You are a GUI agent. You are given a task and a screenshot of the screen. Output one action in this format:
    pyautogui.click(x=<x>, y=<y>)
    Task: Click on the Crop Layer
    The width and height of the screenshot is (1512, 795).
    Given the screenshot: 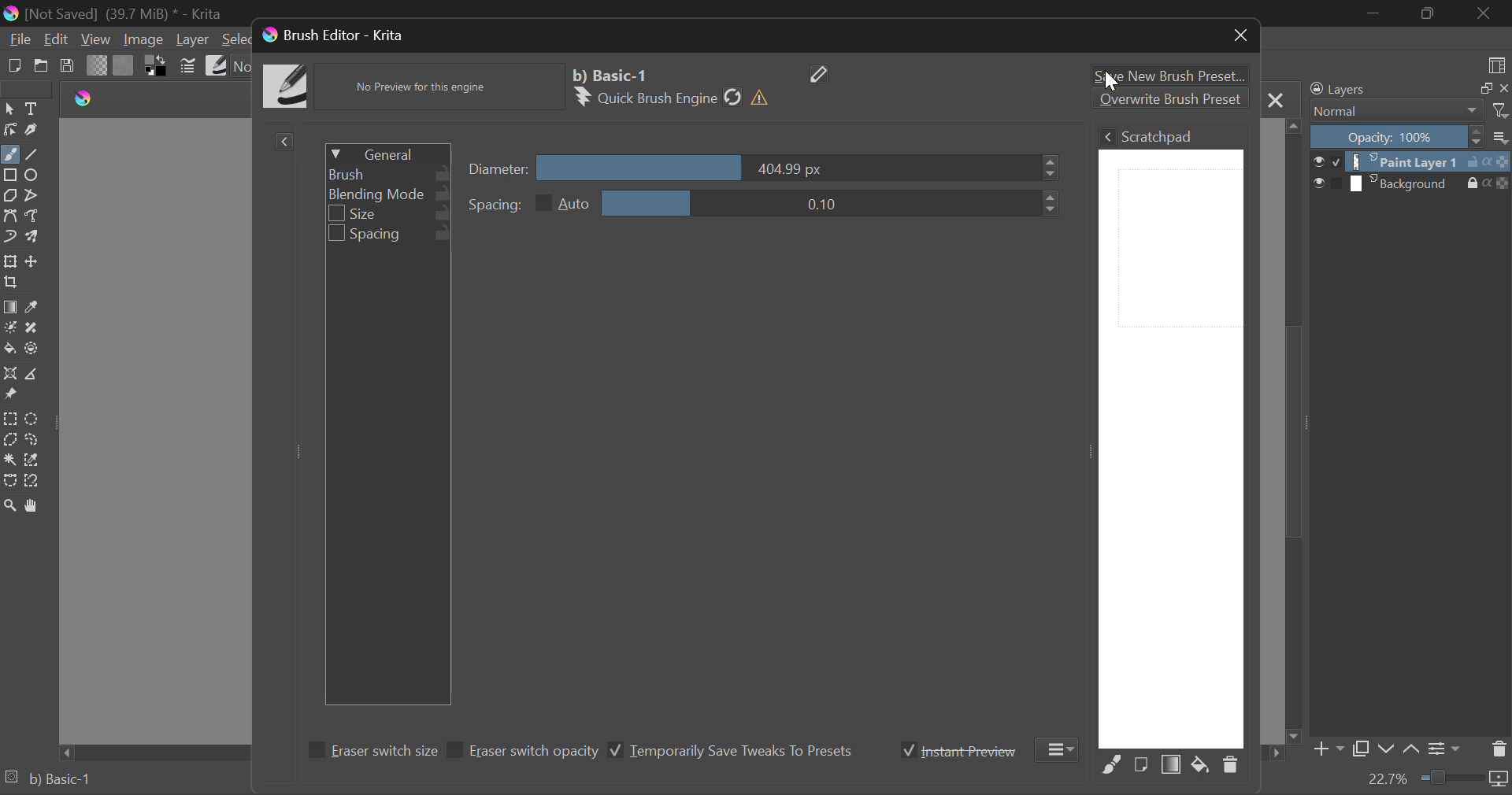 What is the action you would take?
    pyautogui.click(x=14, y=283)
    